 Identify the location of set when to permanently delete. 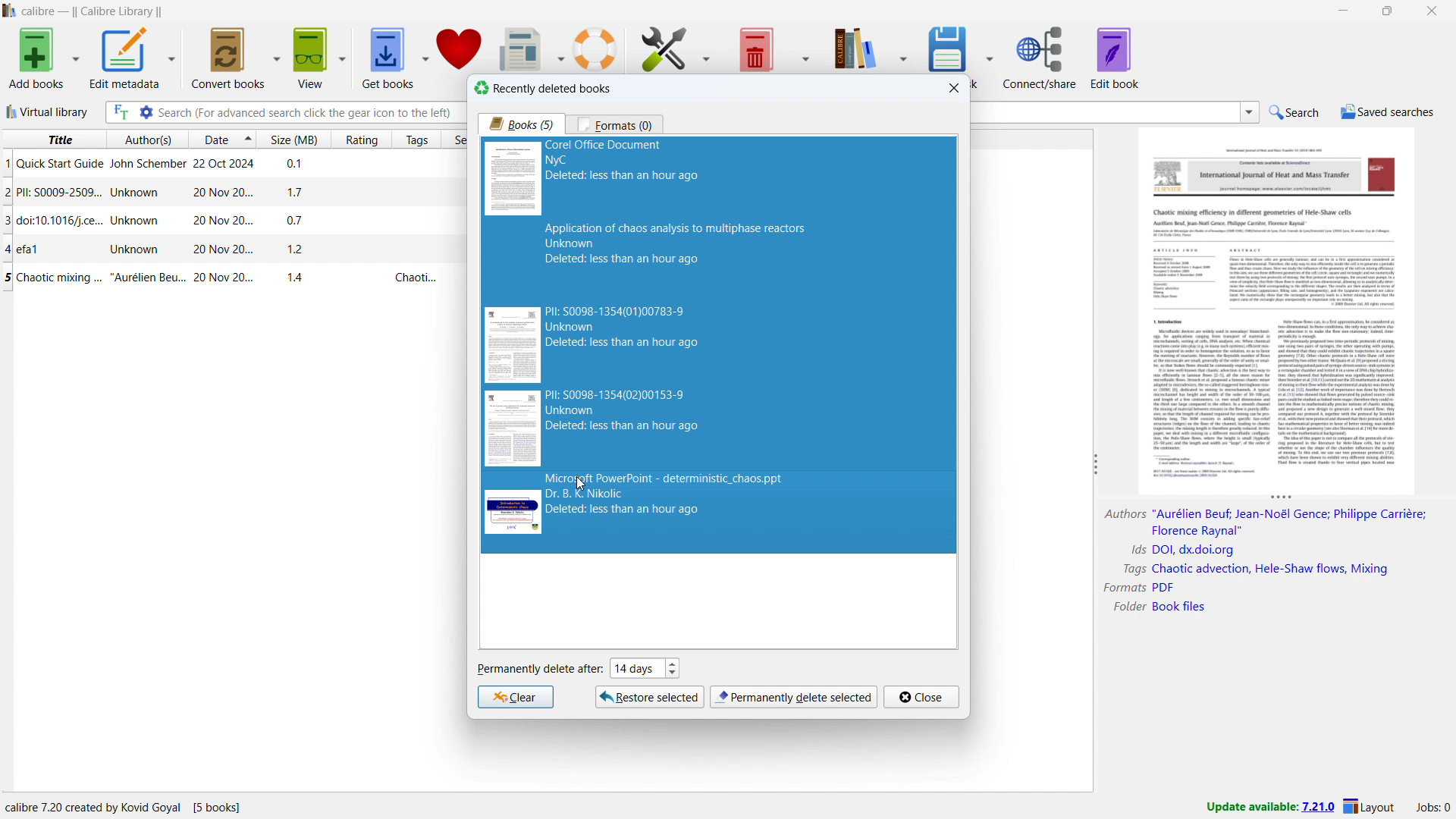
(644, 667).